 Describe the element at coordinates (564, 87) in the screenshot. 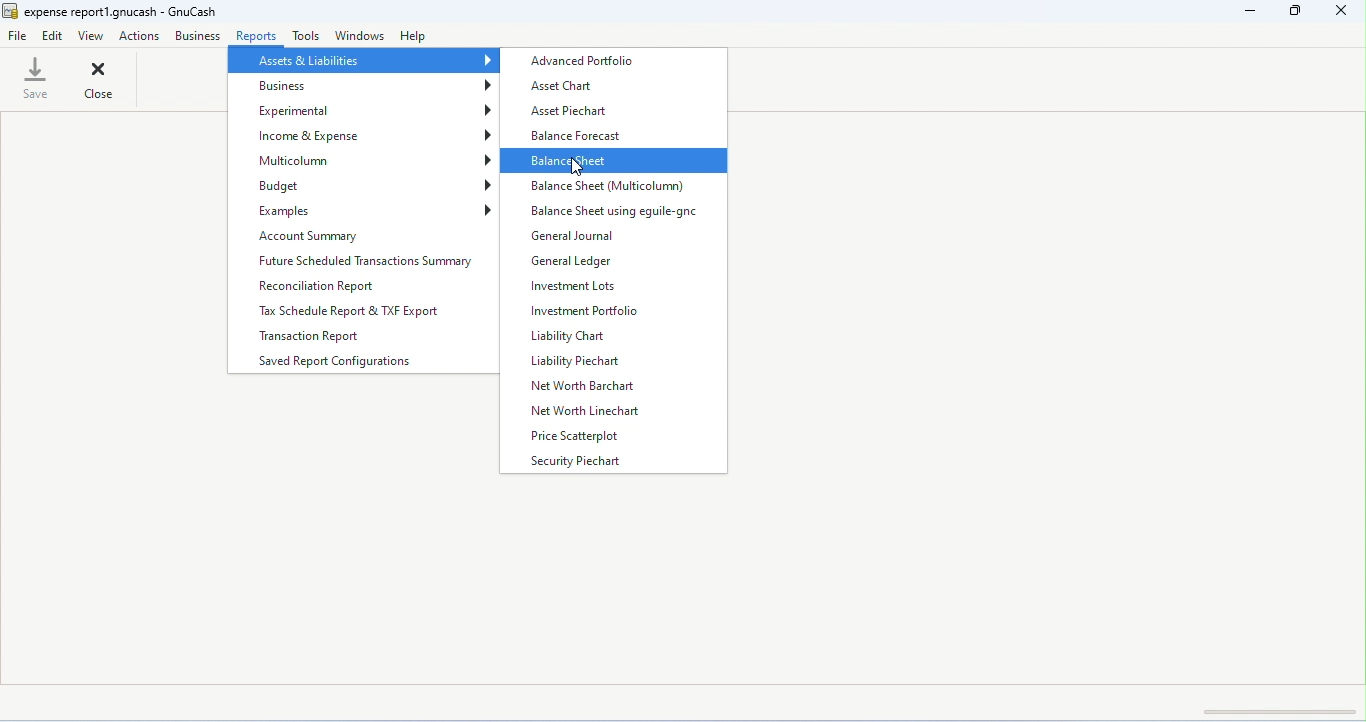

I see `asset chart` at that location.